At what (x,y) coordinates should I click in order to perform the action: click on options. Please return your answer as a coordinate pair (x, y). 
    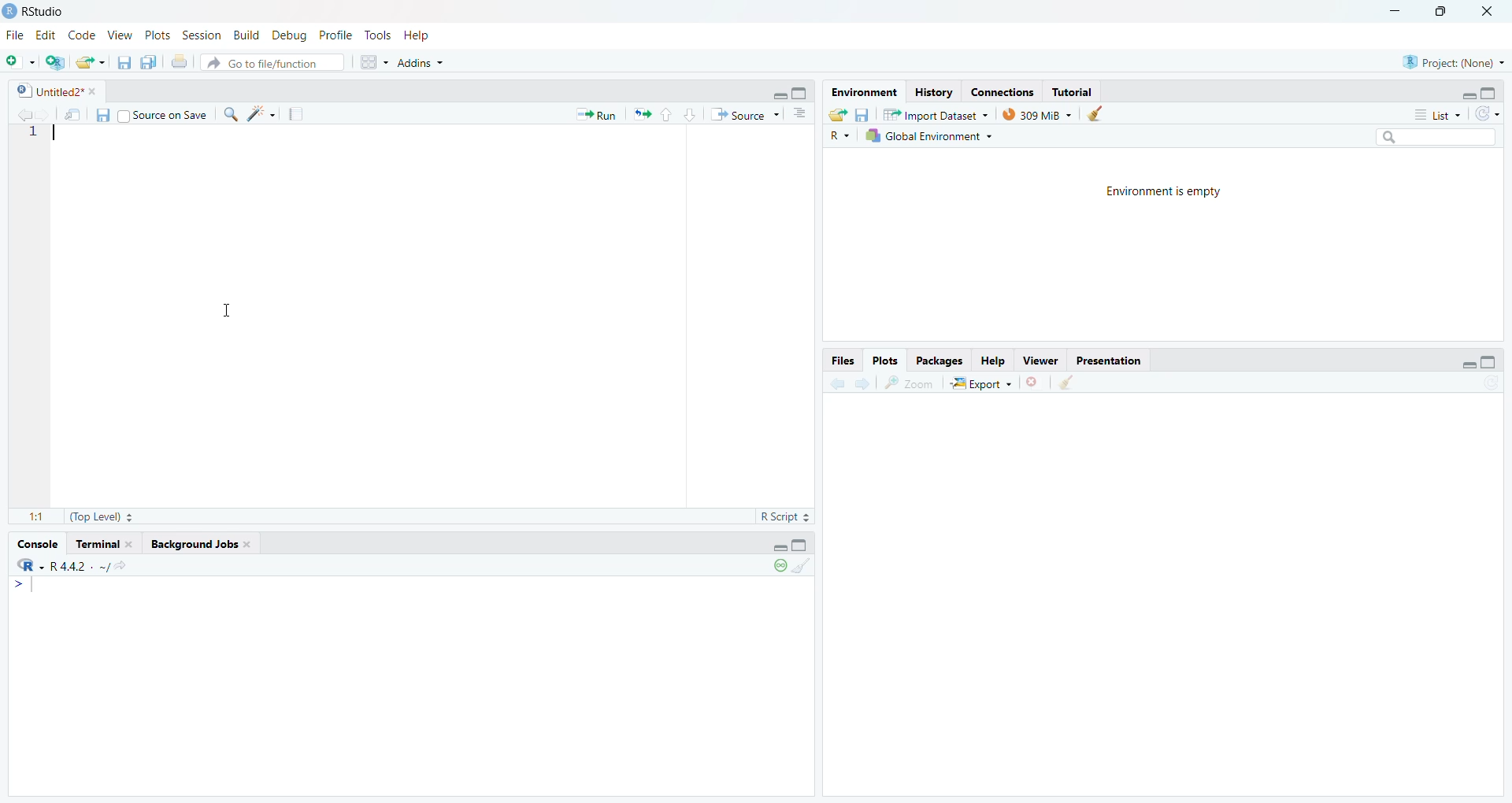
    Looking at the image, I should click on (798, 117).